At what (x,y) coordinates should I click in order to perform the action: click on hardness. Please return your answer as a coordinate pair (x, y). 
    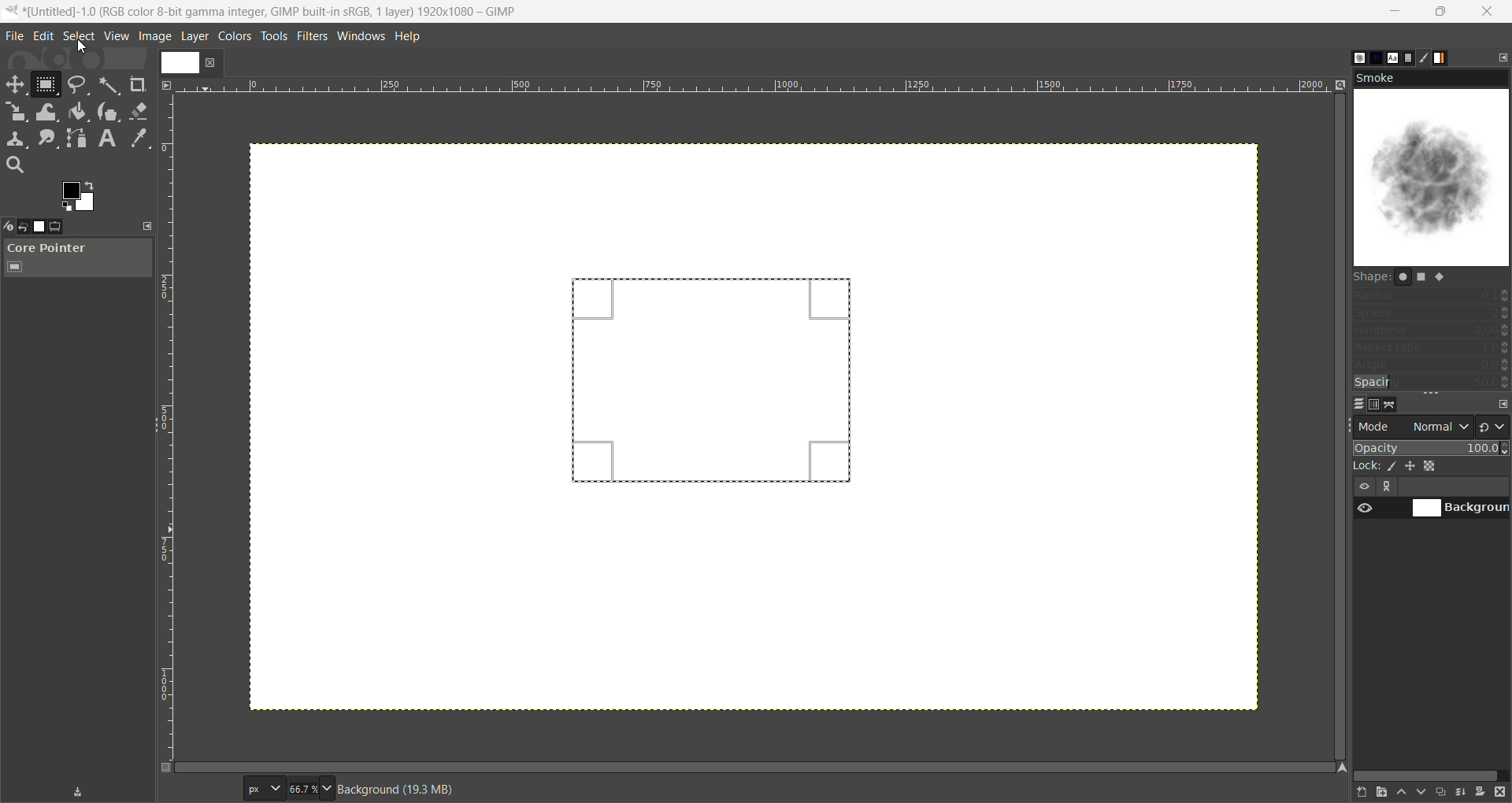
    Looking at the image, I should click on (1431, 331).